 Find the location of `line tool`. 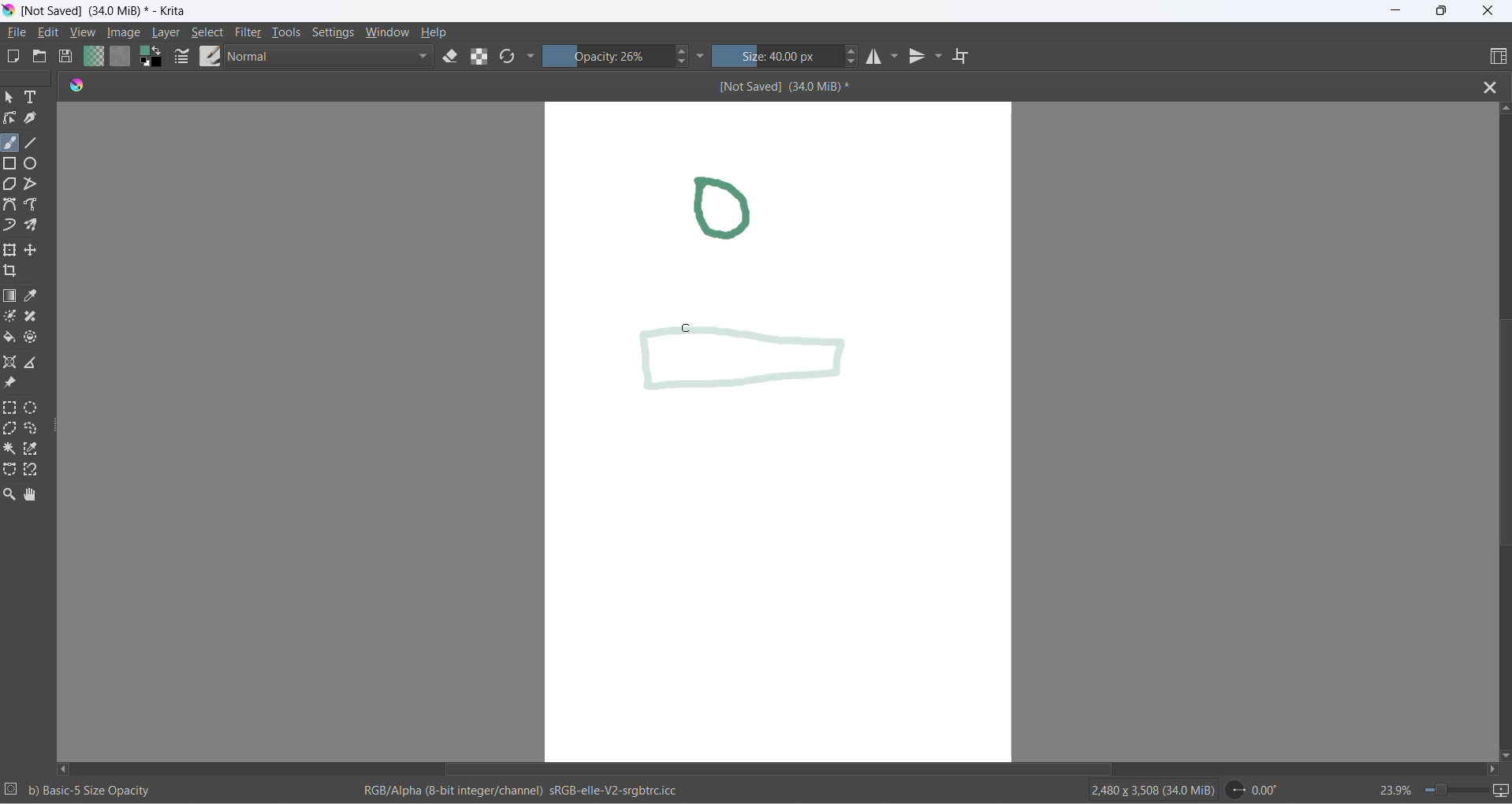

line tool is located at coordinates (40, 143).